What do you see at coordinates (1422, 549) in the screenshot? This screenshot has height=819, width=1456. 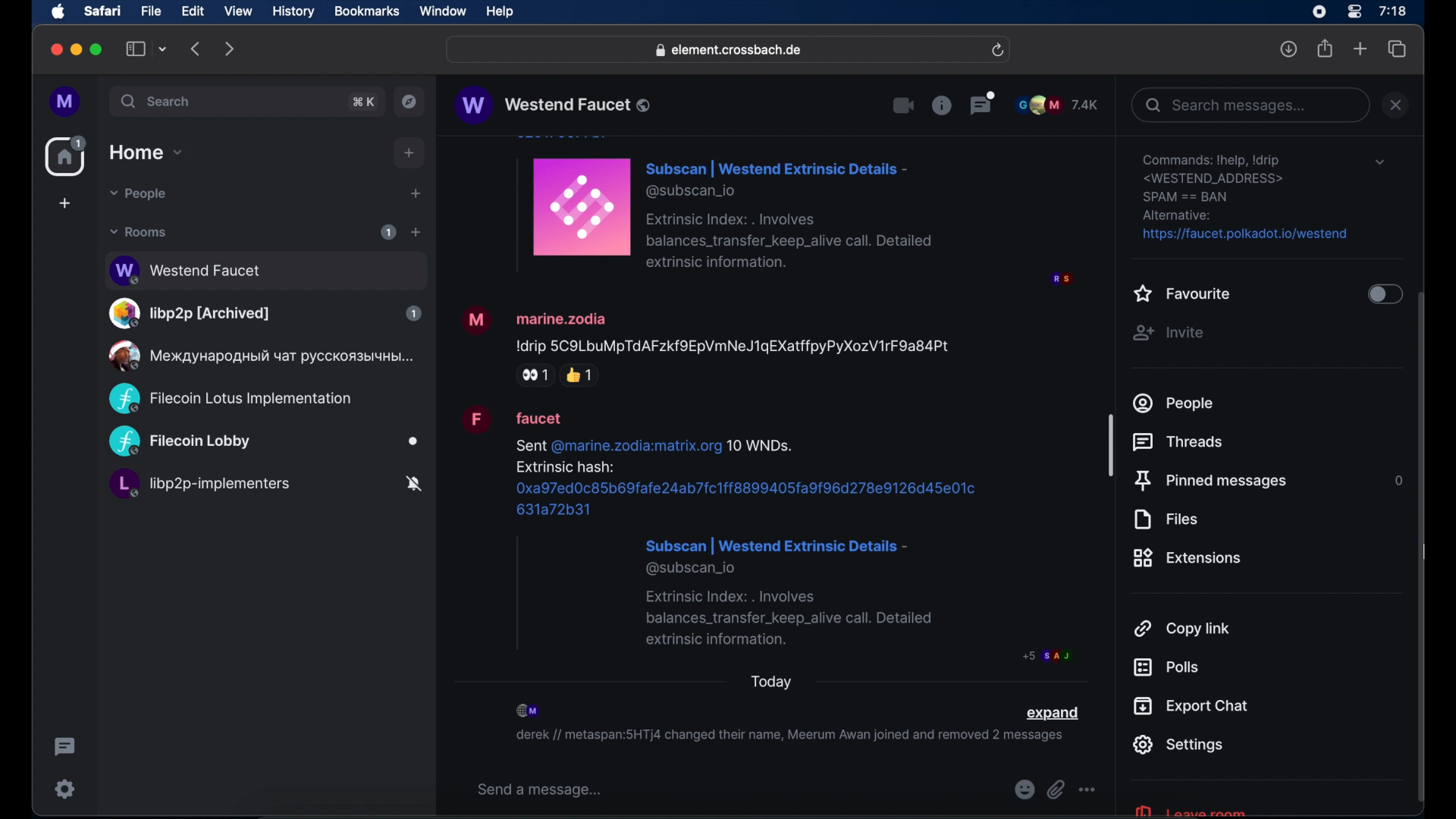 I see `scroll bar` at bounding box center [1422, 549].